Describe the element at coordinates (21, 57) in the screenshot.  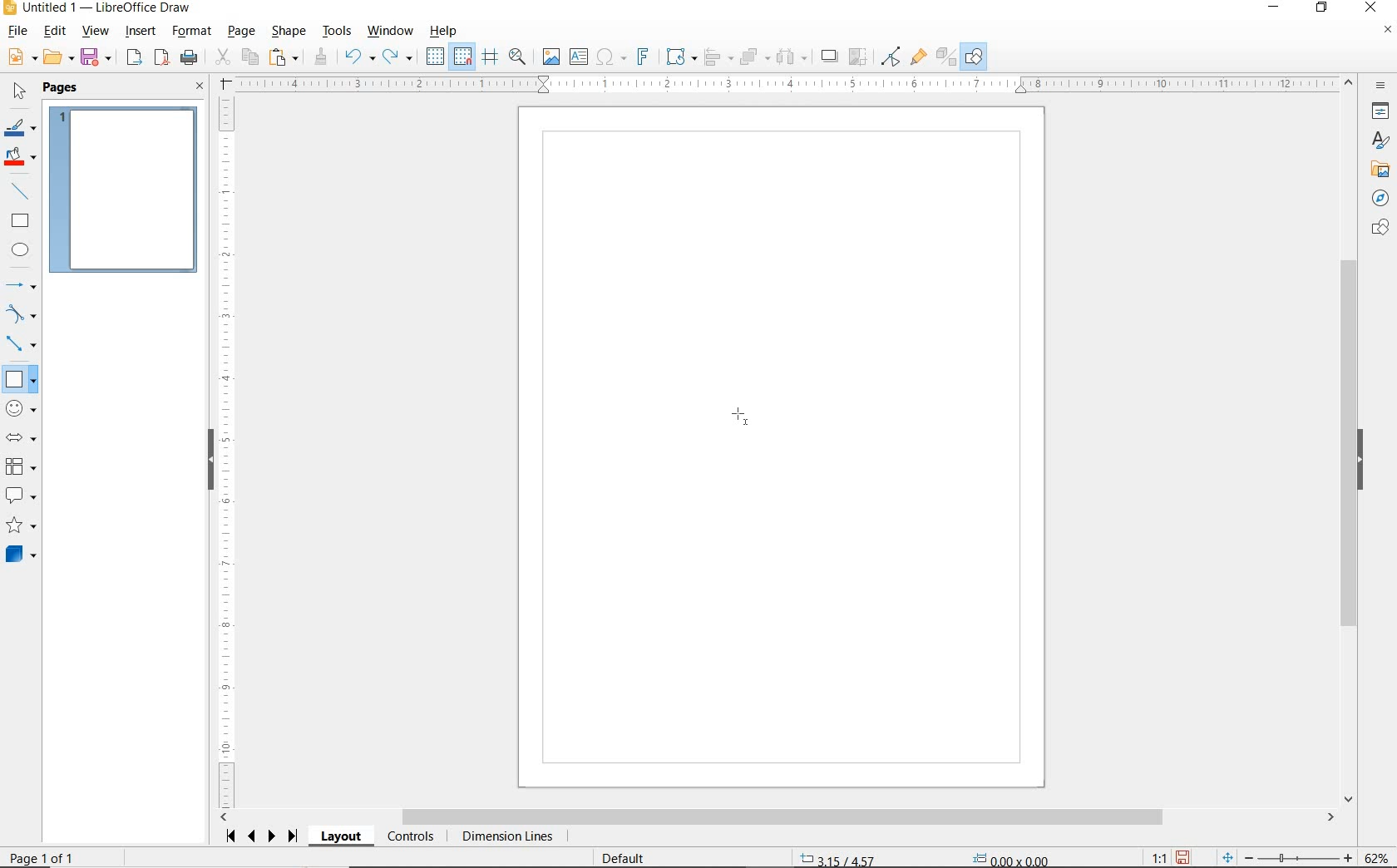
I see `NEW` at that location.